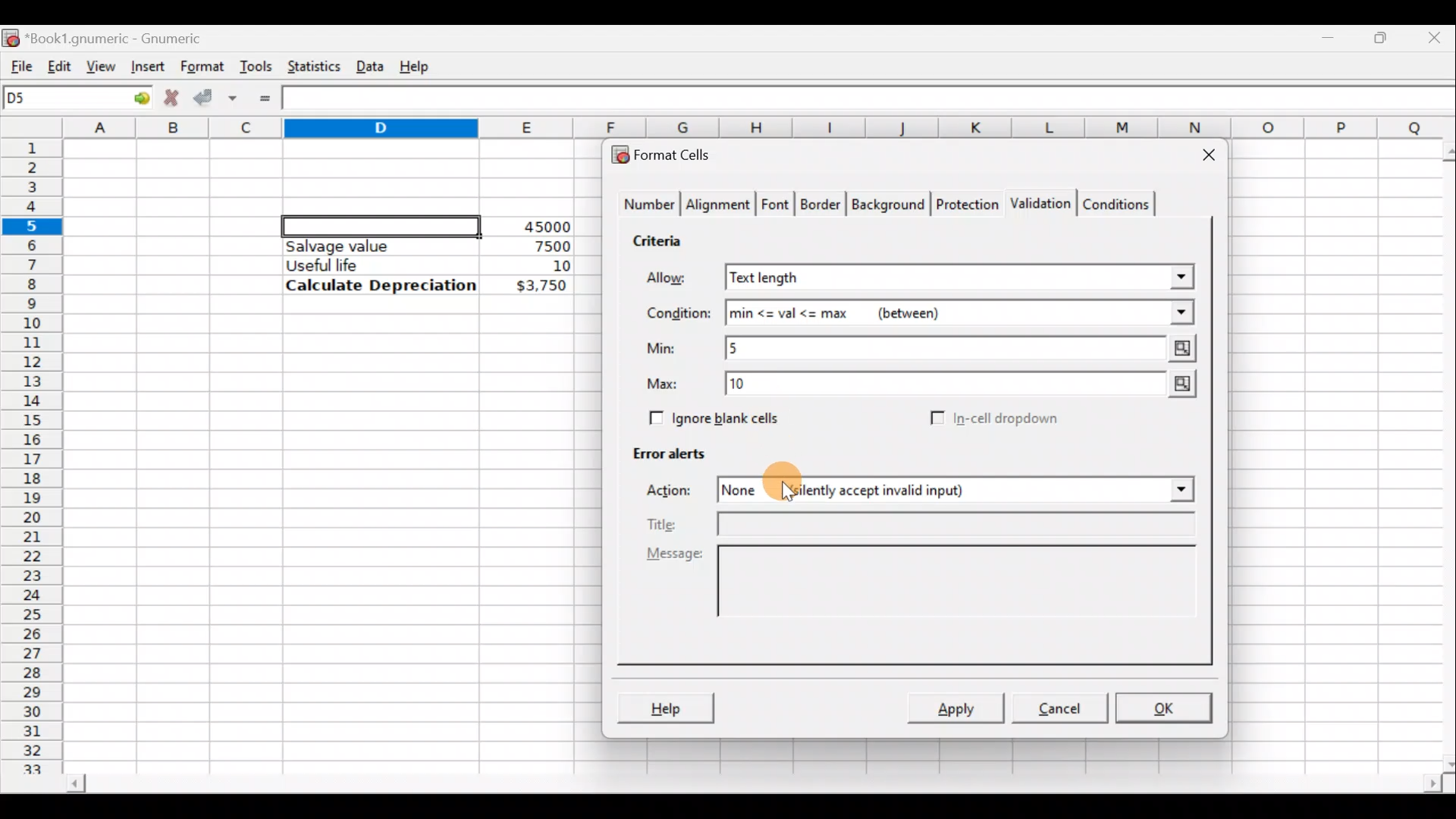 This screenshot has height=819, width=1456. I want to click on Maximize, so click(1384, 35).